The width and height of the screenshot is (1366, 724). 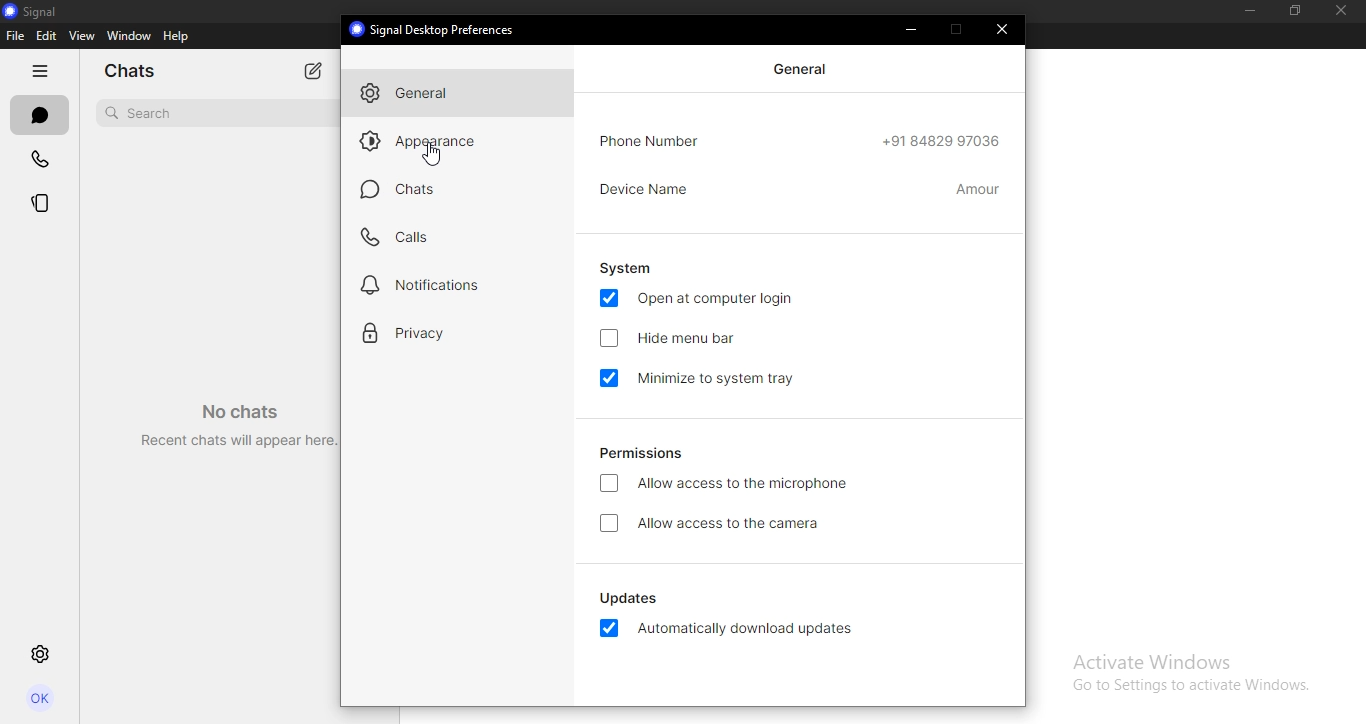 I want to click on allow access to the microphone, so click(x=738, y=484).